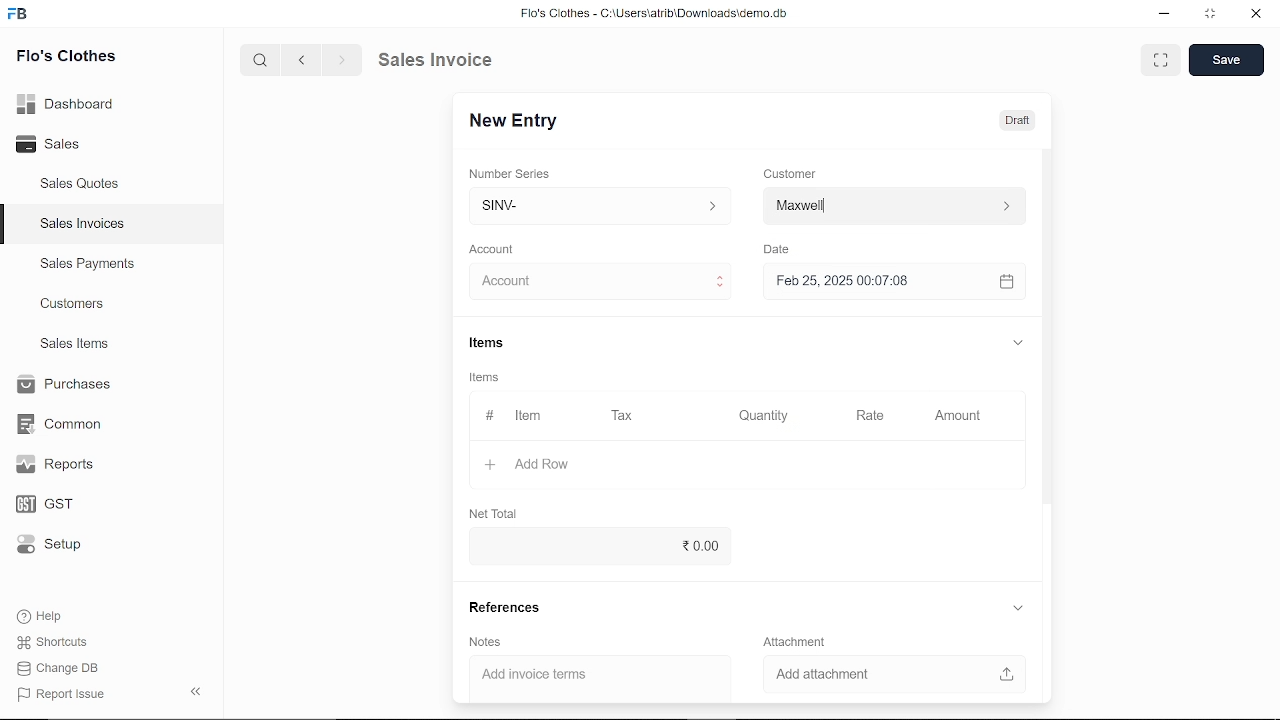  Describe the element at coordinates (760, 416) in the screenshot. I see ` Quantity` at that location.